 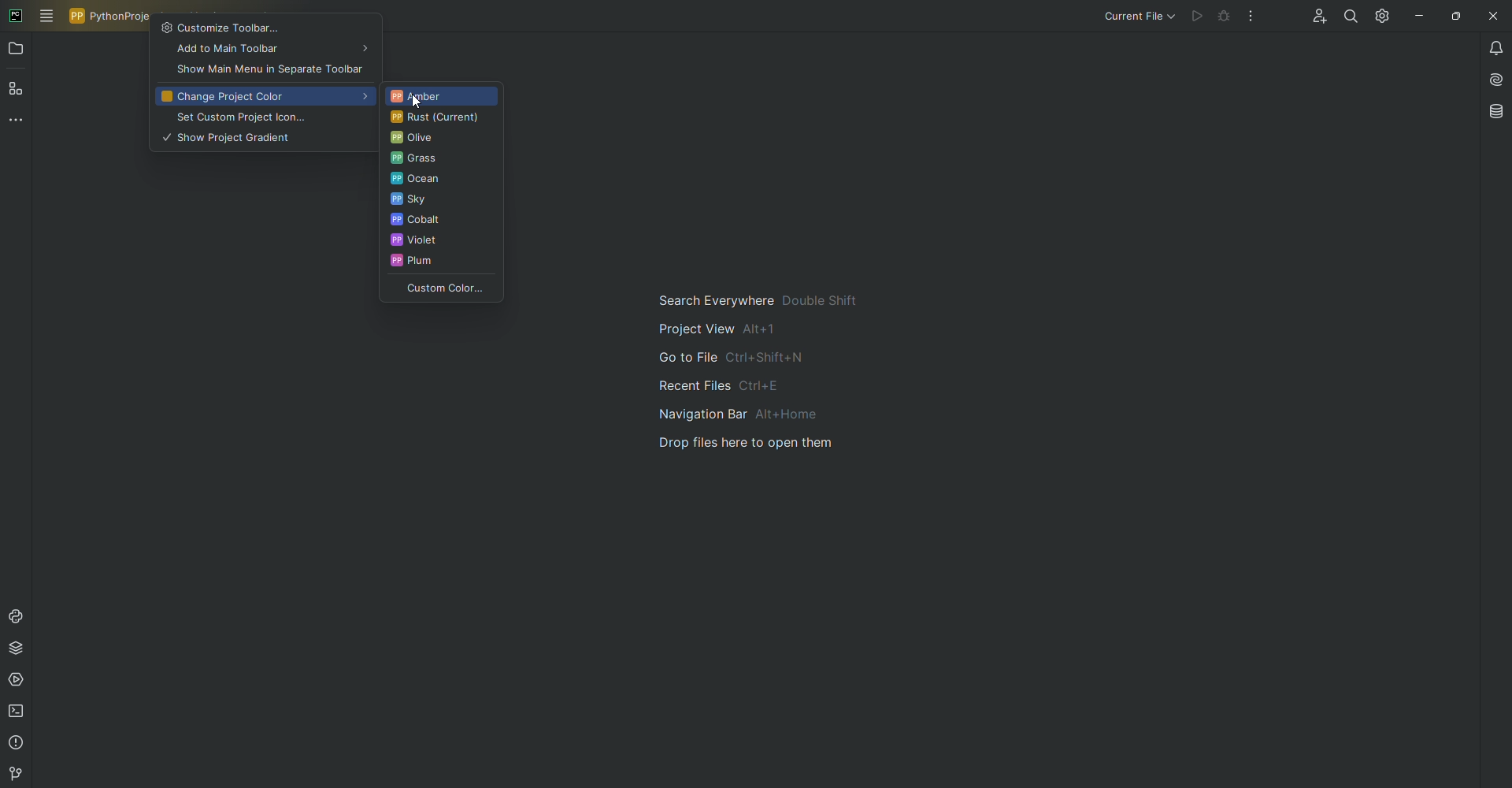 What do you see at coordinates (1415, 15) in the screenshot?
I see `Minimize` at bounding box center [1415, 15].